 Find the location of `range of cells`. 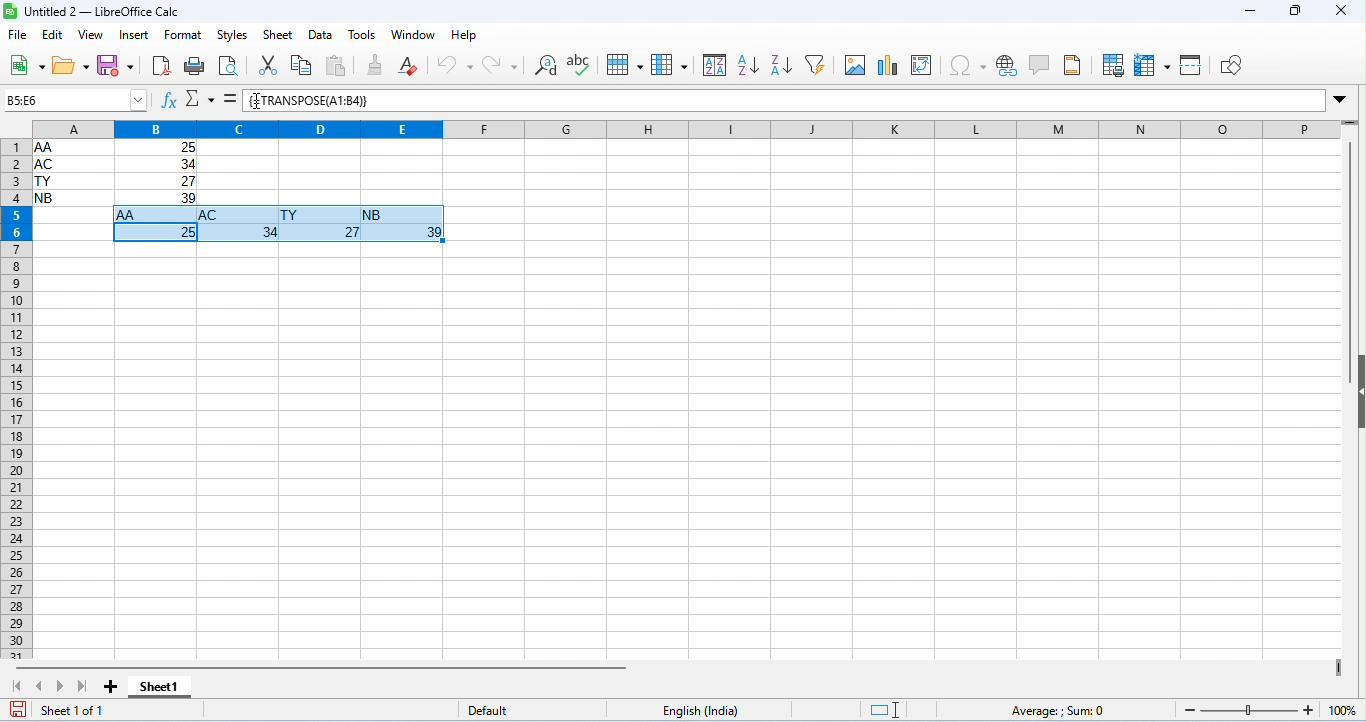

range of cells is located at coordinates (116, 172).